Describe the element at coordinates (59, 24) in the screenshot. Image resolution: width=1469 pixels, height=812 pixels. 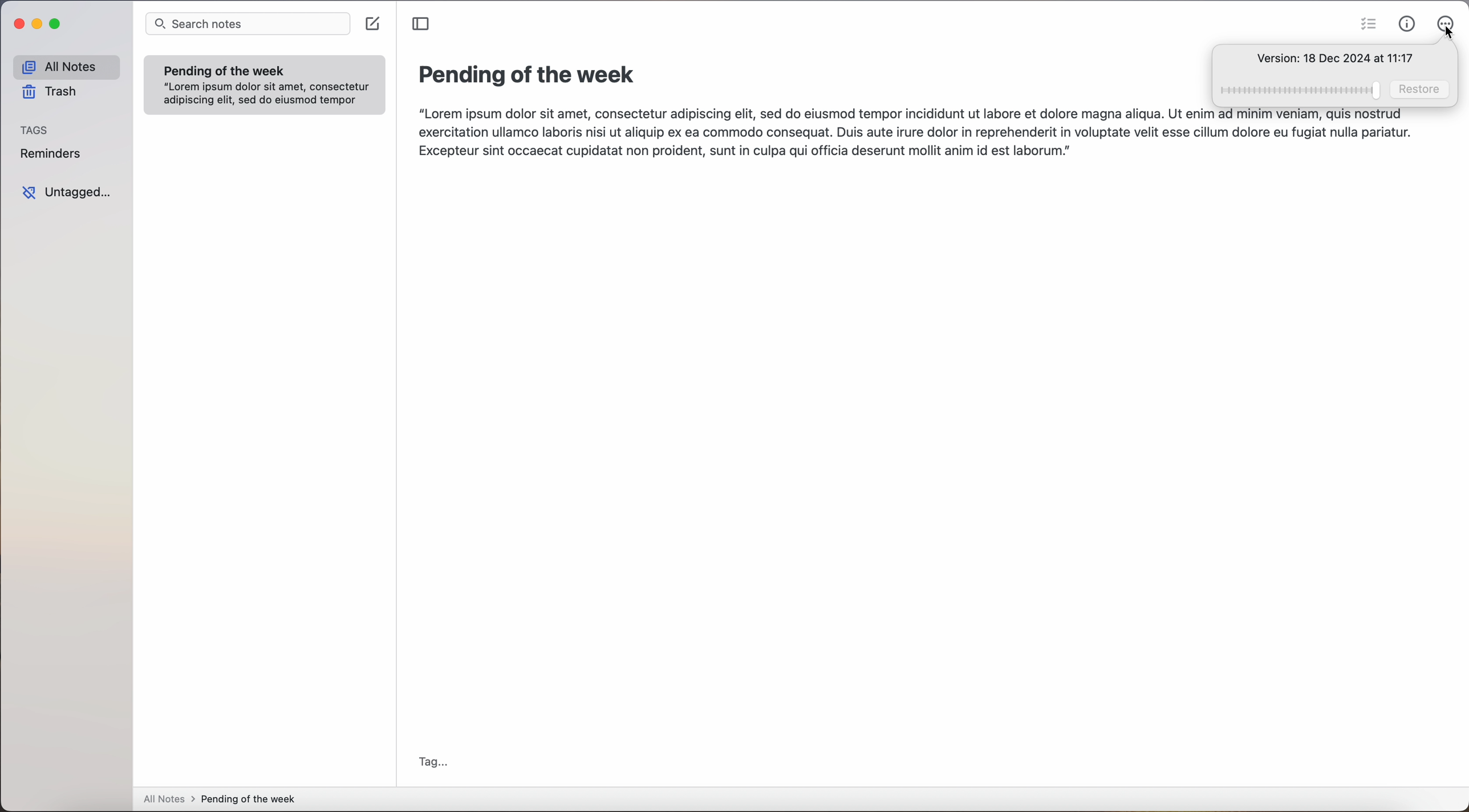
I see `maximize Simplenote` at that location.